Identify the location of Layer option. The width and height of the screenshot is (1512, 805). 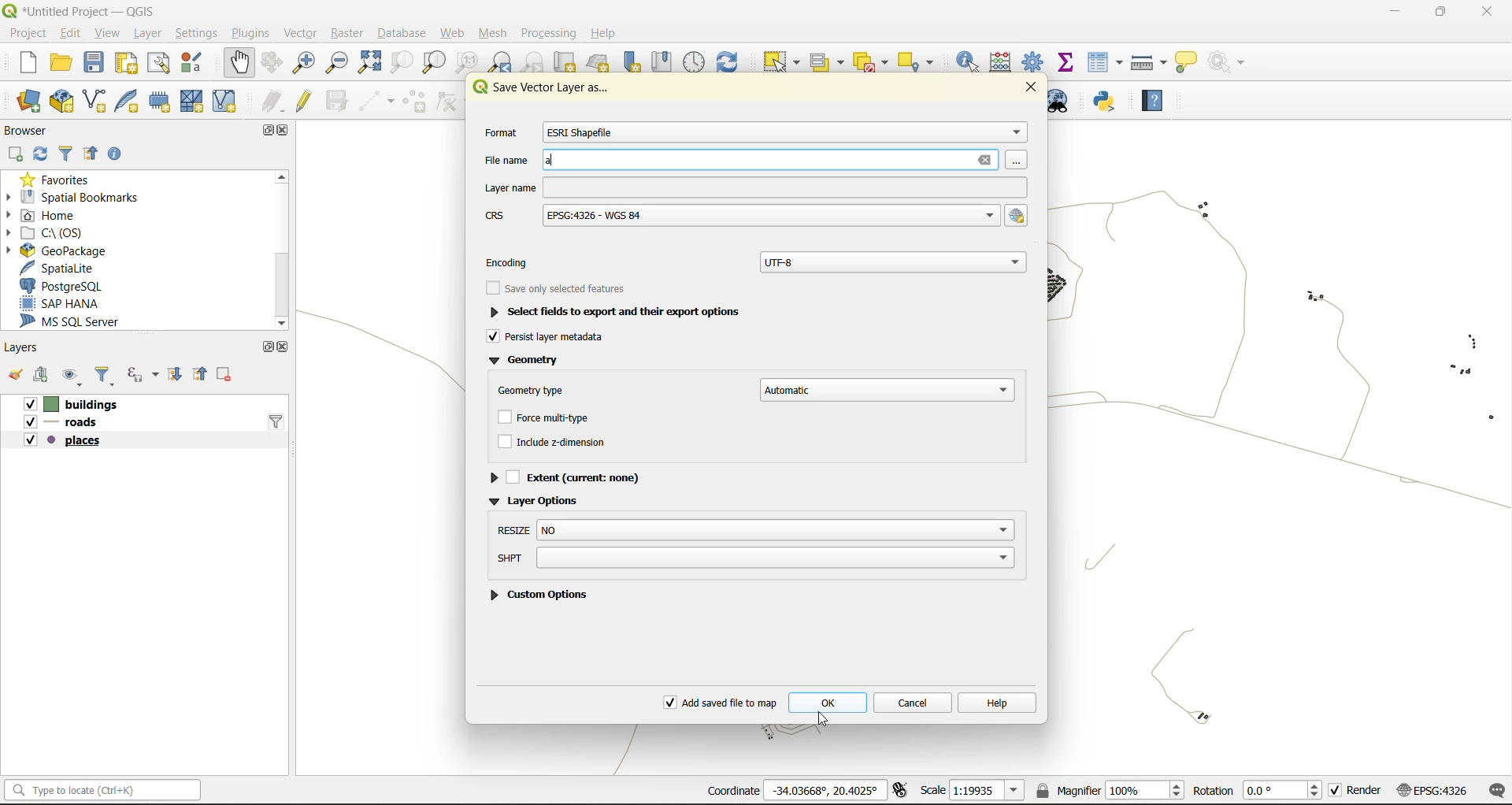
(550, 499).